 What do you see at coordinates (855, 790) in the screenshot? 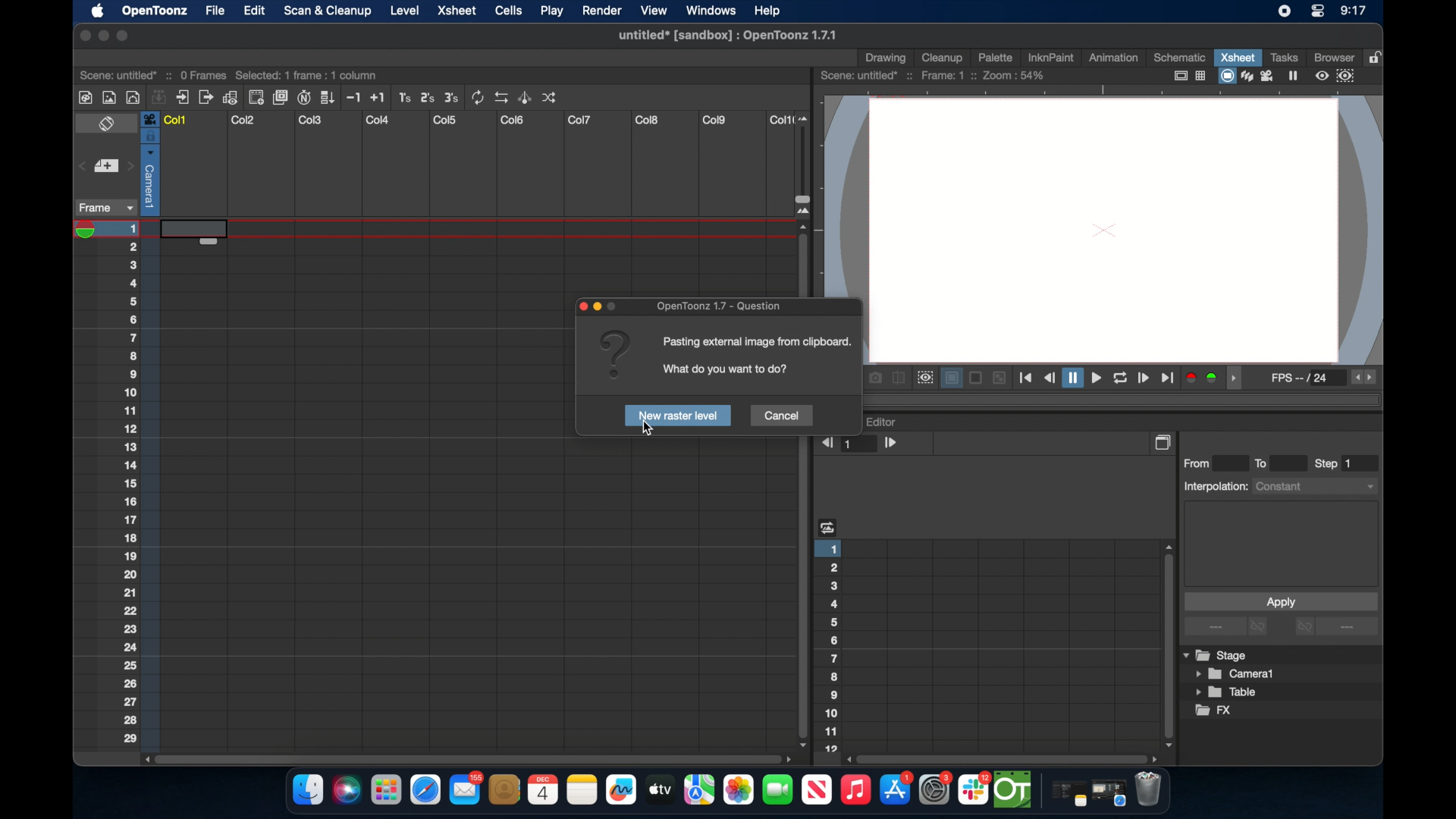
I see `music` at bounding box center [855, 790].